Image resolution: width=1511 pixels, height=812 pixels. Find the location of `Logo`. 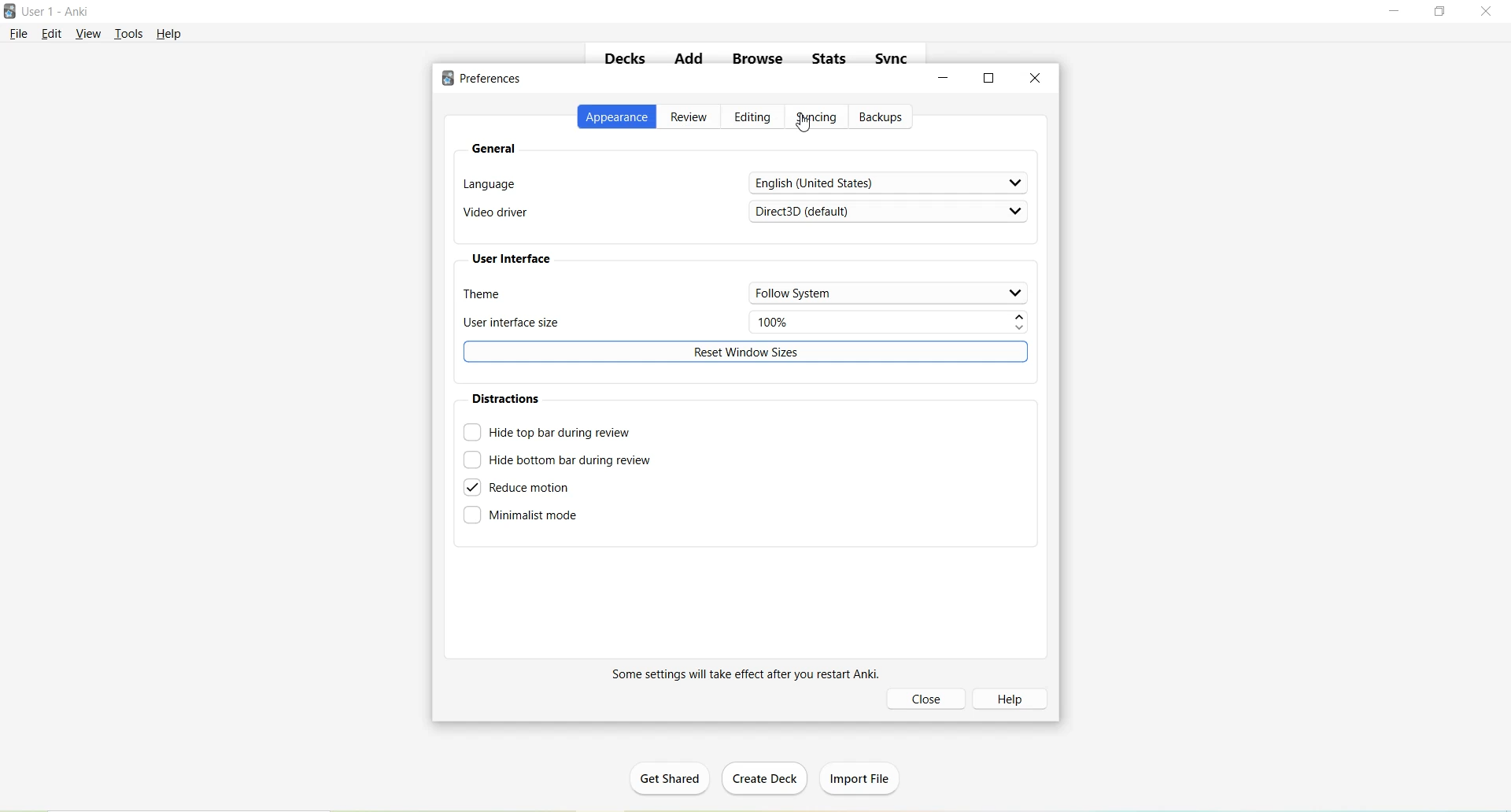

Logo is located at coordinates (12, 12).